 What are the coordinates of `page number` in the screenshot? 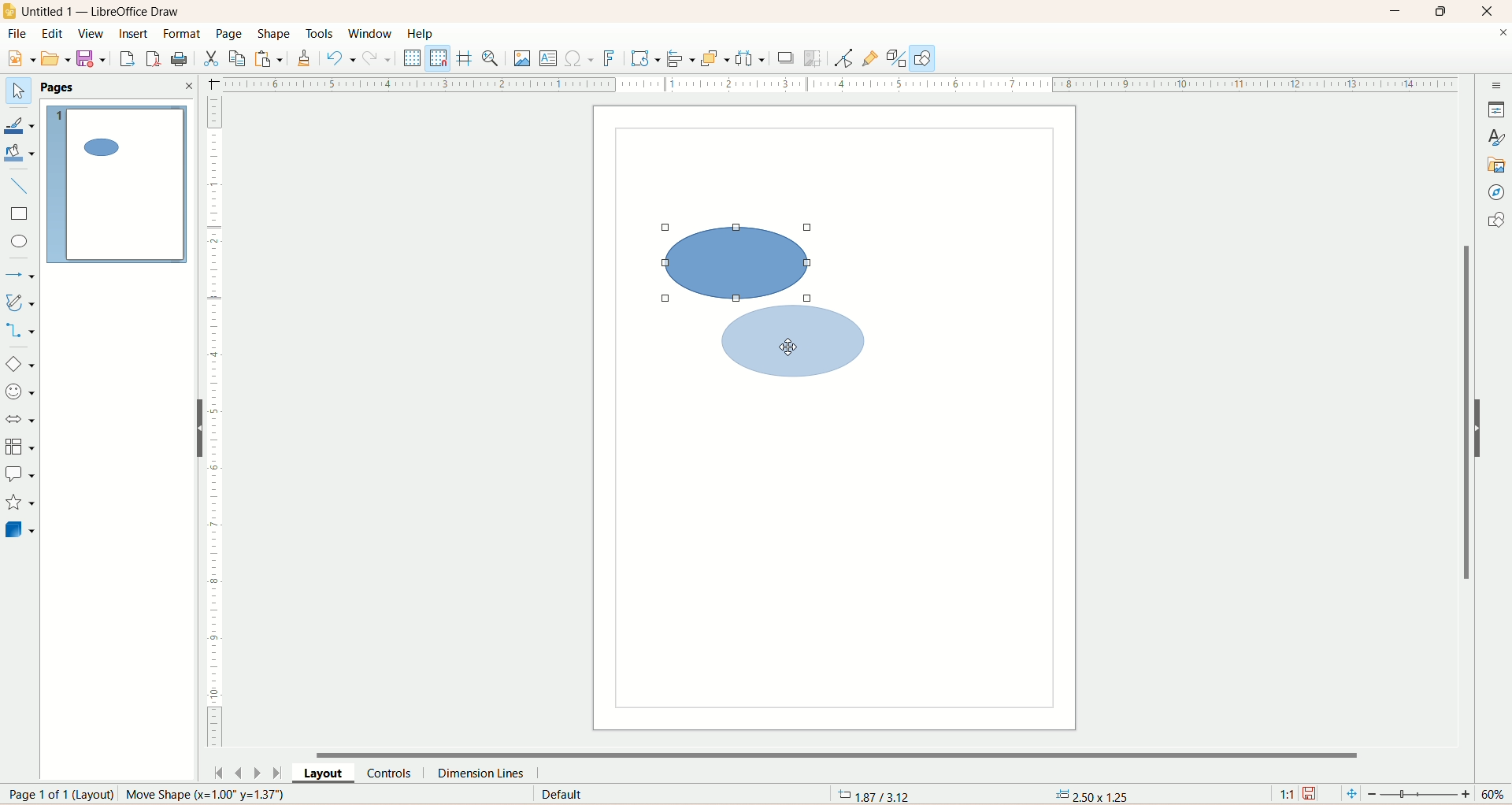 It's located at (146, 794).